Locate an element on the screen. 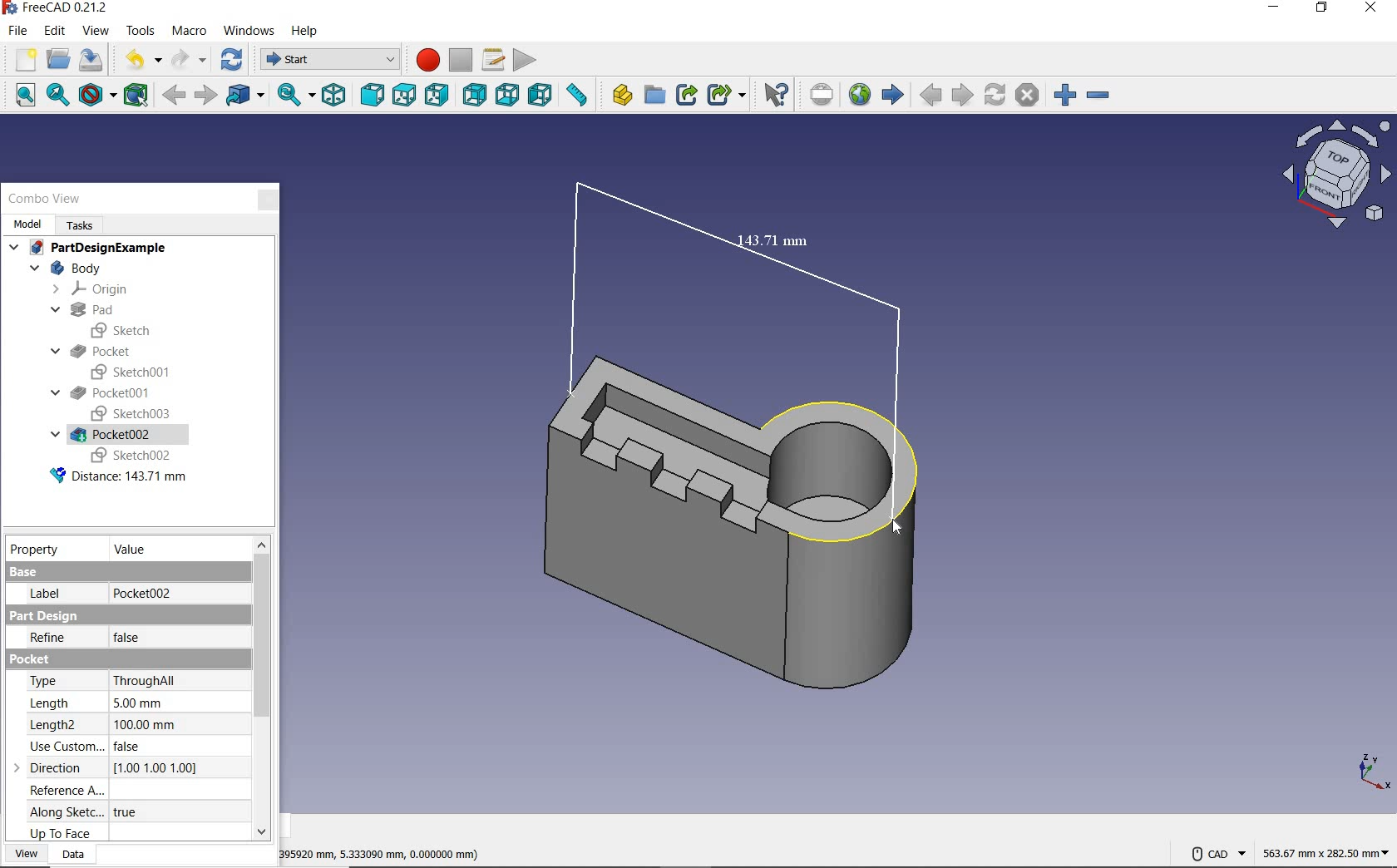 This screenshot has height=868, width=1397. set URL is located at coordinates (822, 96).